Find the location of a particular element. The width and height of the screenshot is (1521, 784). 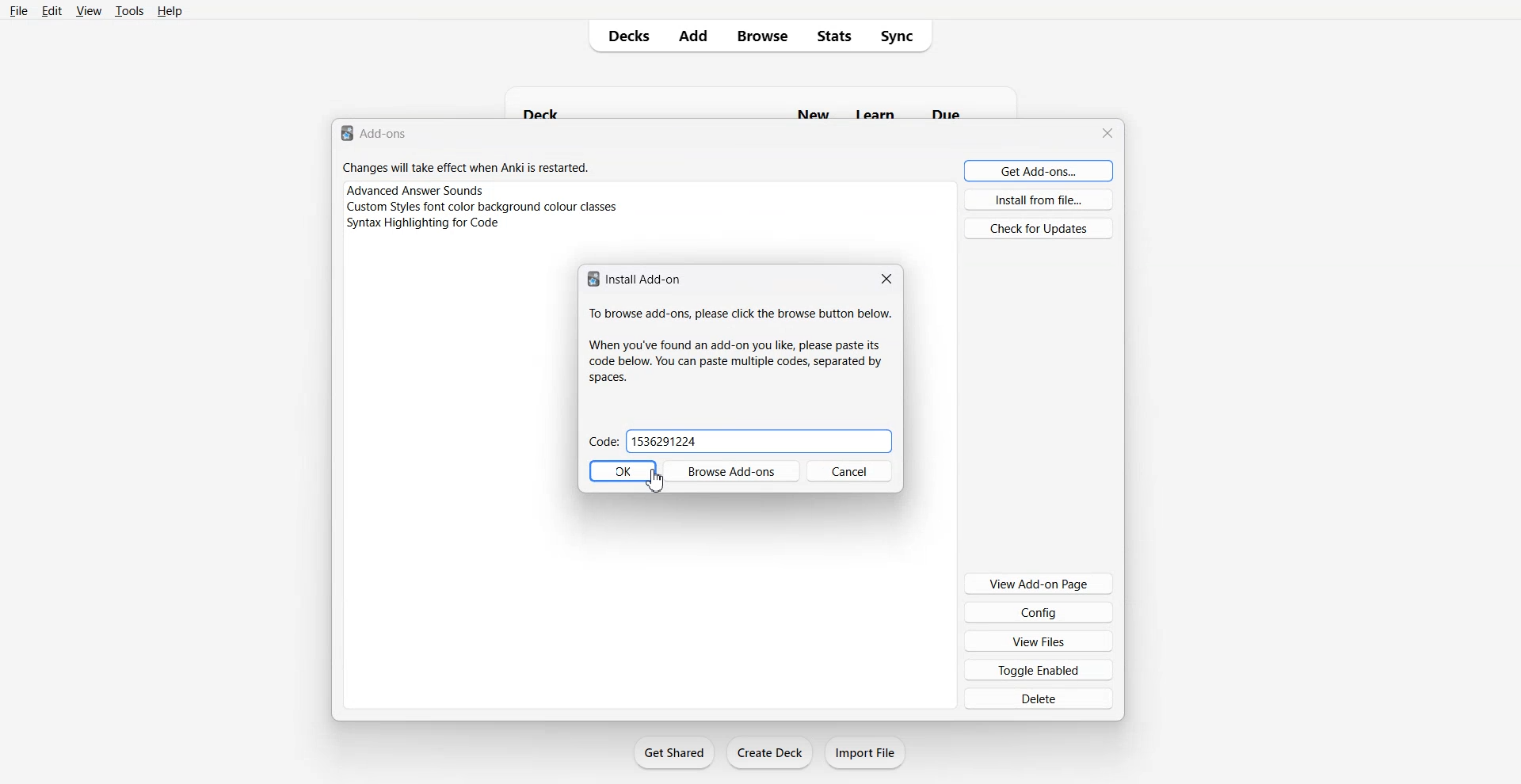

Decks is located at coordinates (623, 36).